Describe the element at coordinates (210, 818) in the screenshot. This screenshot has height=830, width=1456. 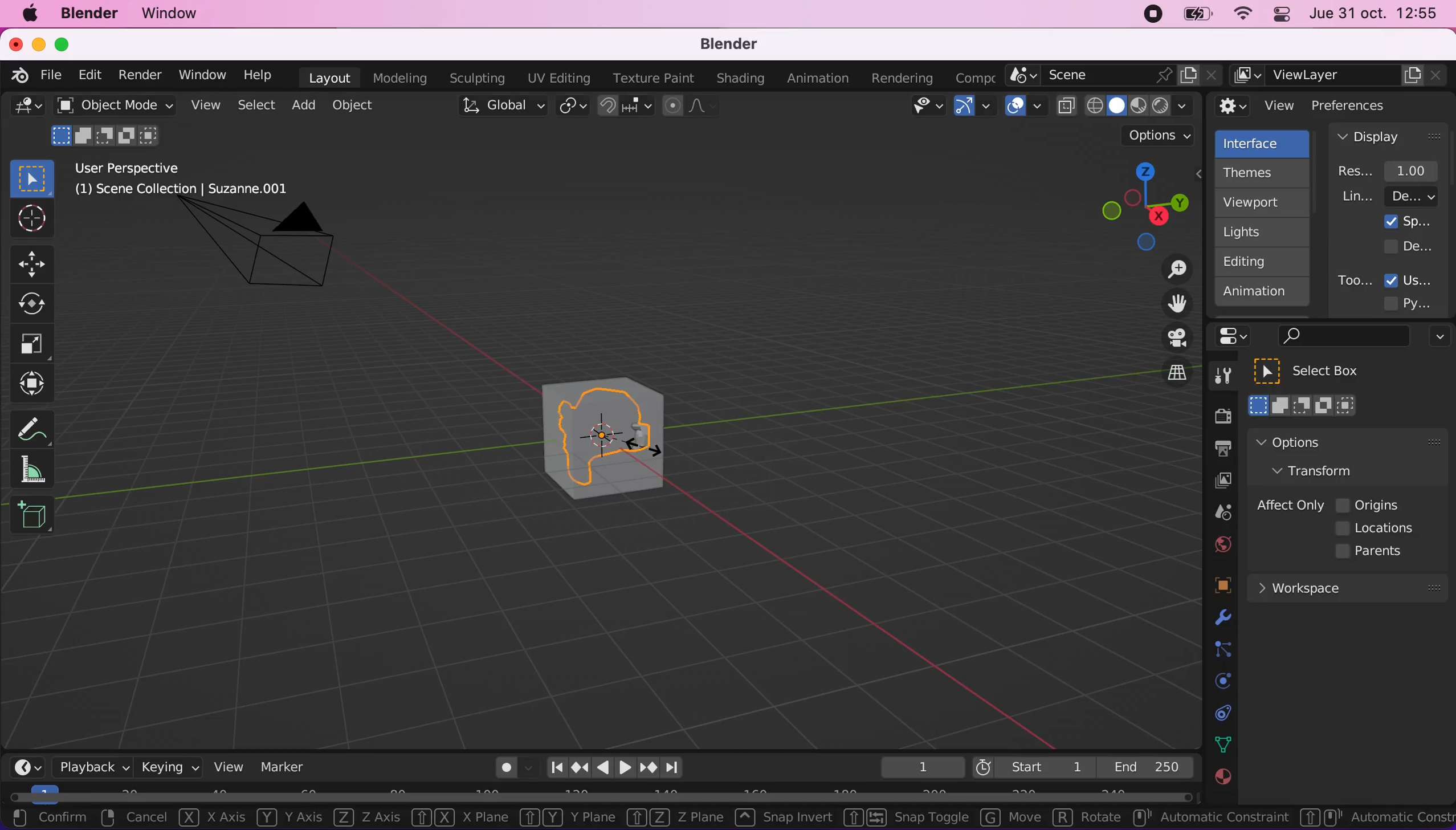
I see `x axis` at that location.